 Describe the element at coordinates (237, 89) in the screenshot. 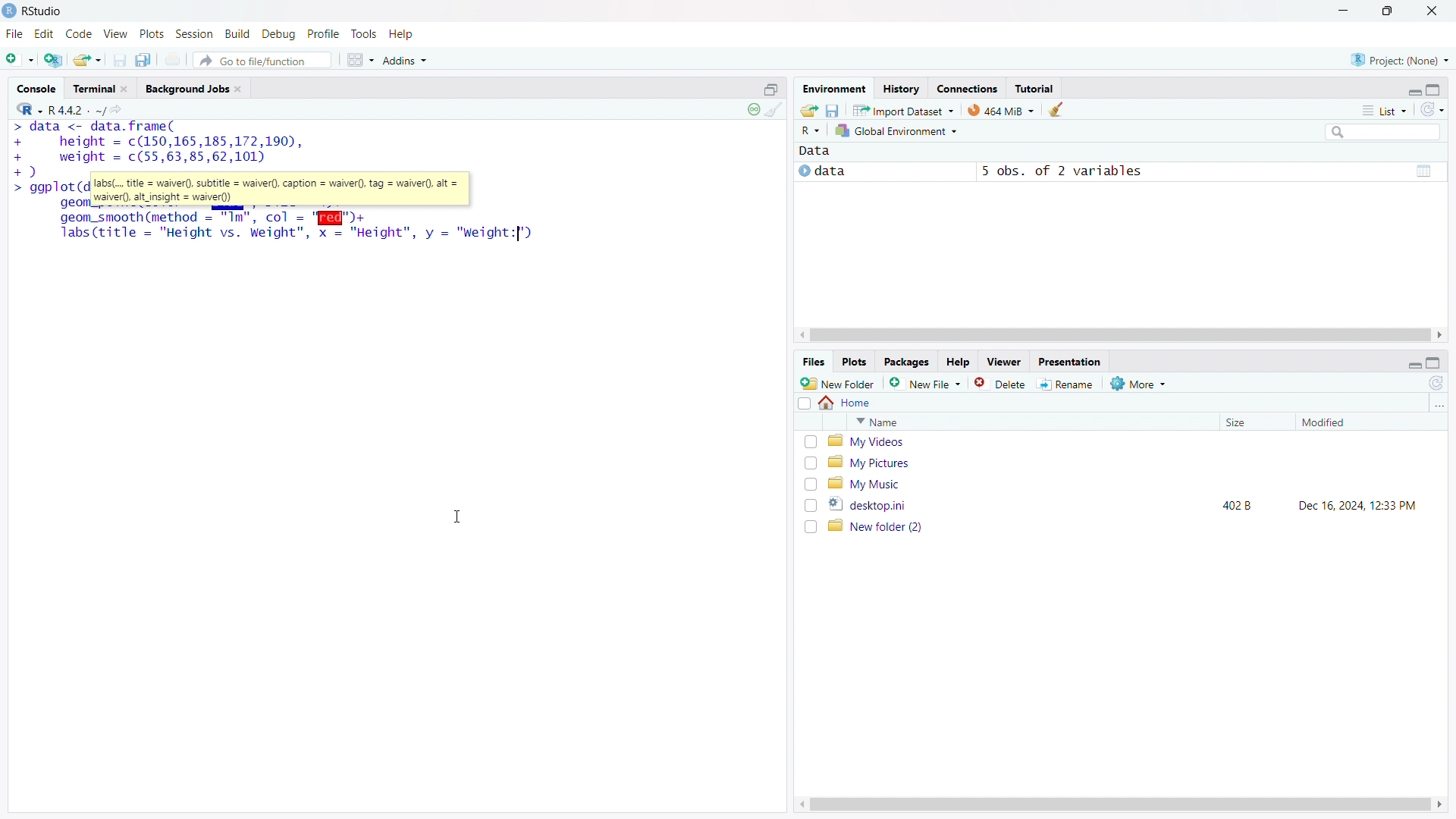

I see `close` at that location.